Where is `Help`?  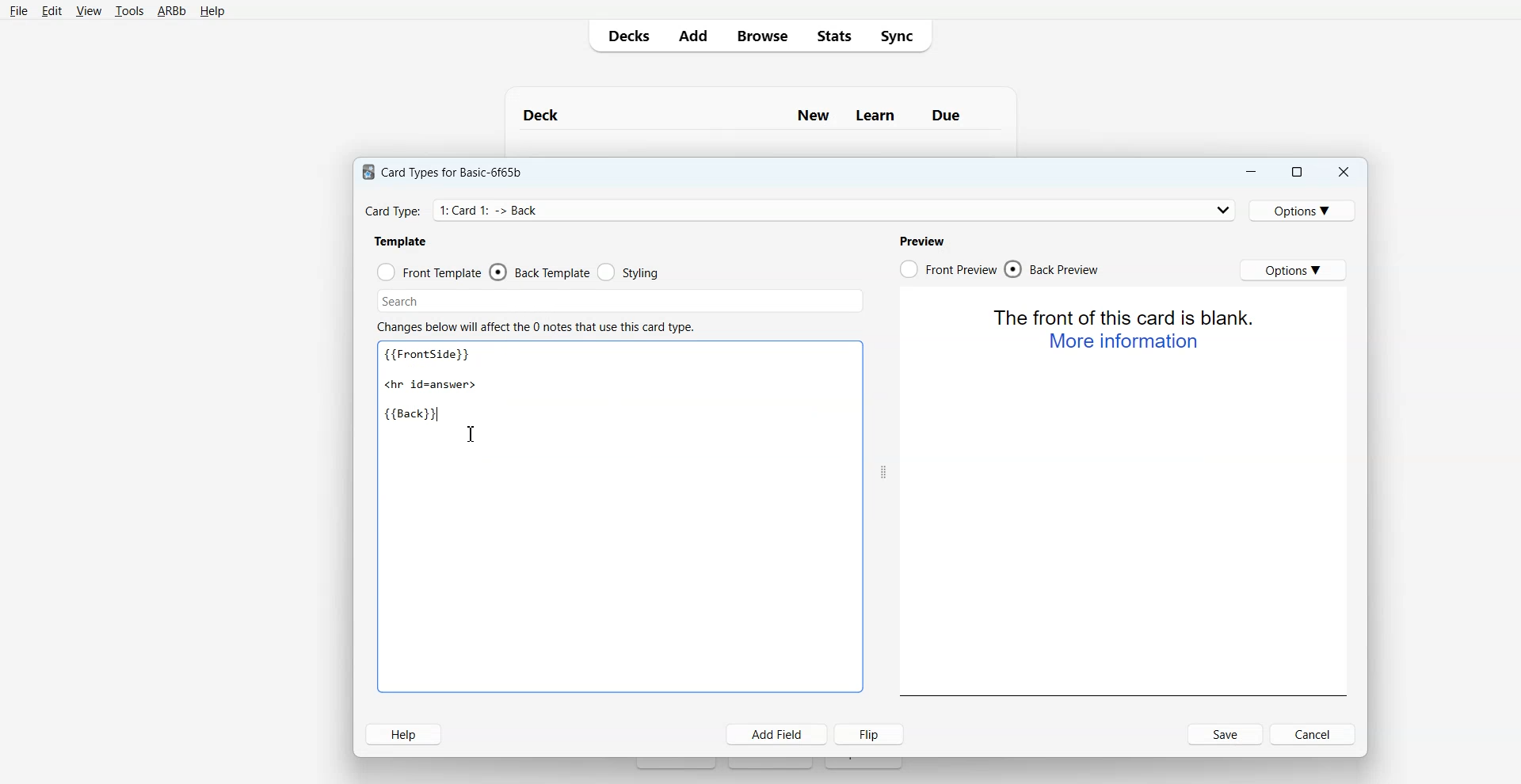
Help is located at coordinates (404, 734).